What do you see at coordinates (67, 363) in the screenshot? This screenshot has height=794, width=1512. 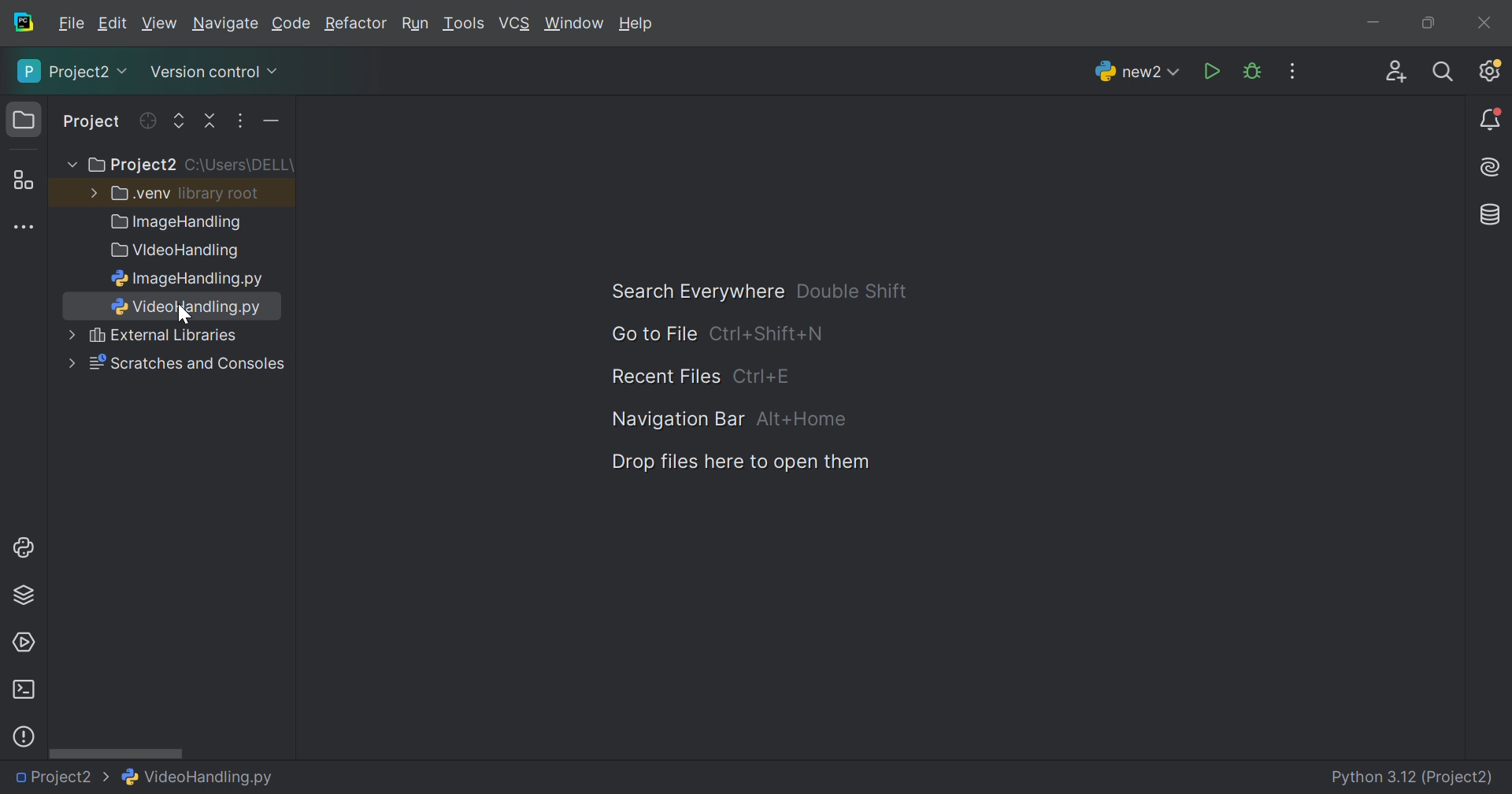 I see `more` at bounding box center [67, 363].